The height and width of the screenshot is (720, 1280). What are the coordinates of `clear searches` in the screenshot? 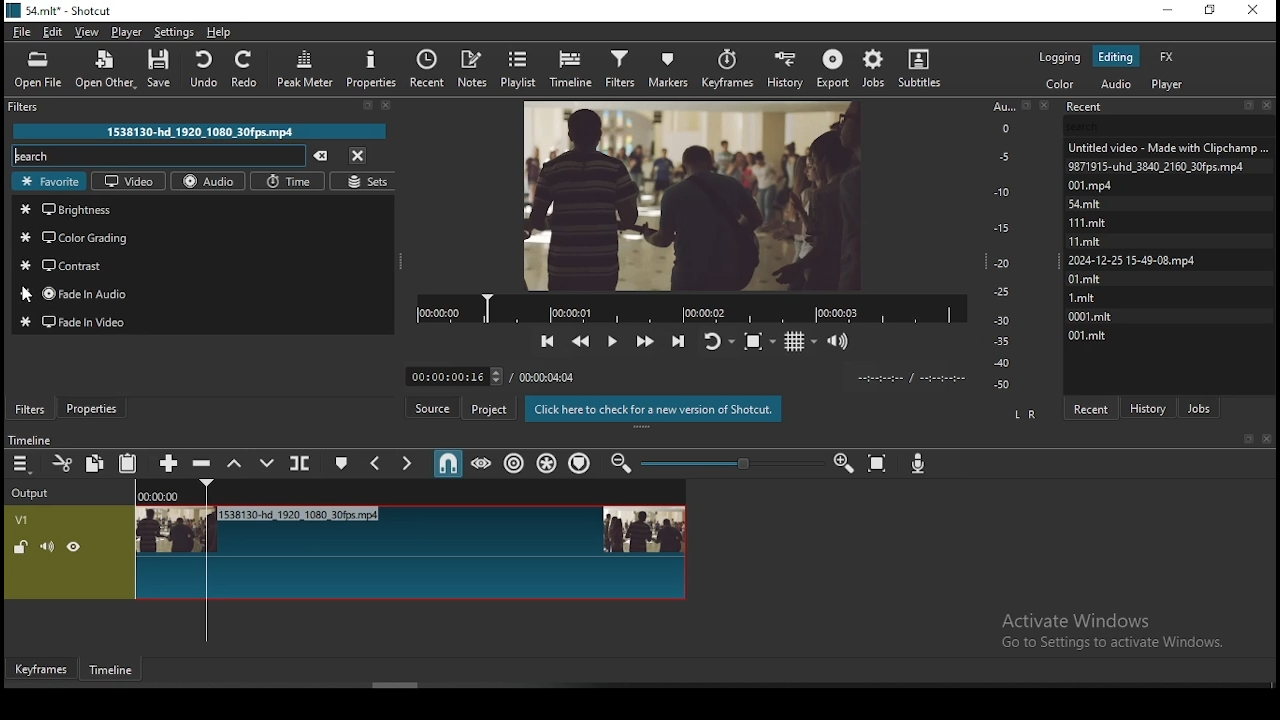 It's located at (321, 156).